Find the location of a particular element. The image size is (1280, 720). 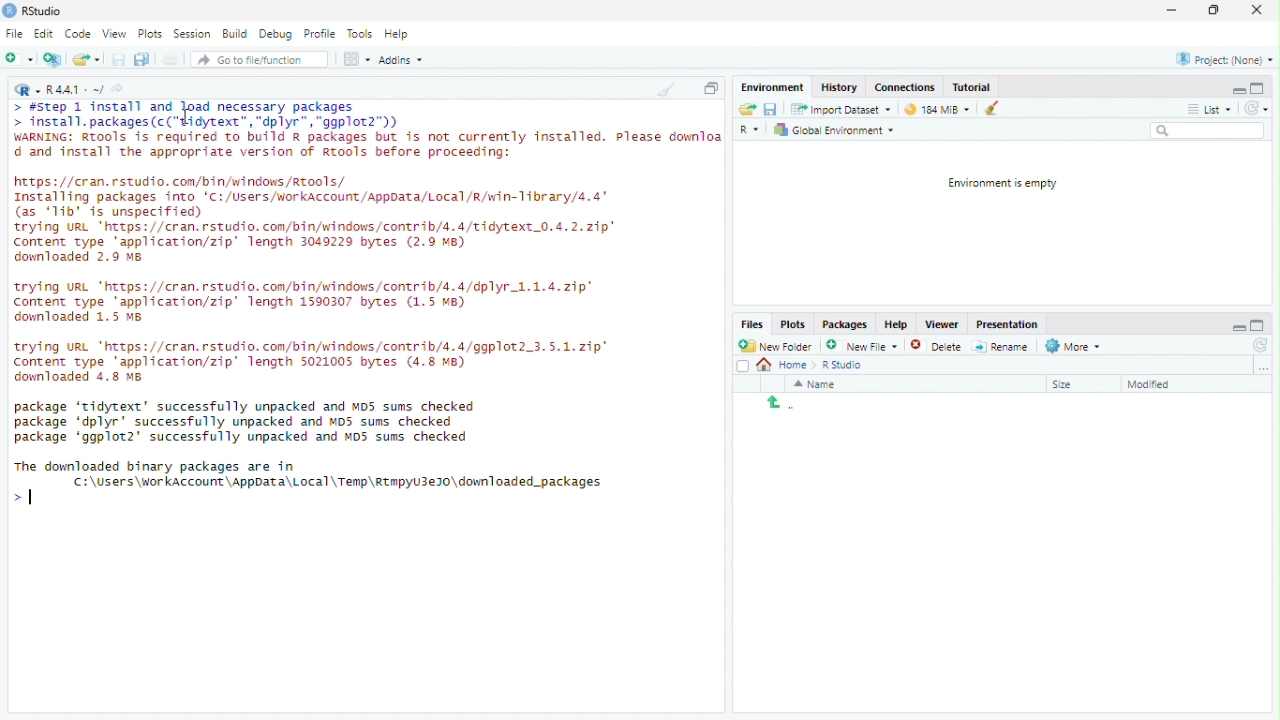

Restore Down is located at coordinates (1216, 11).